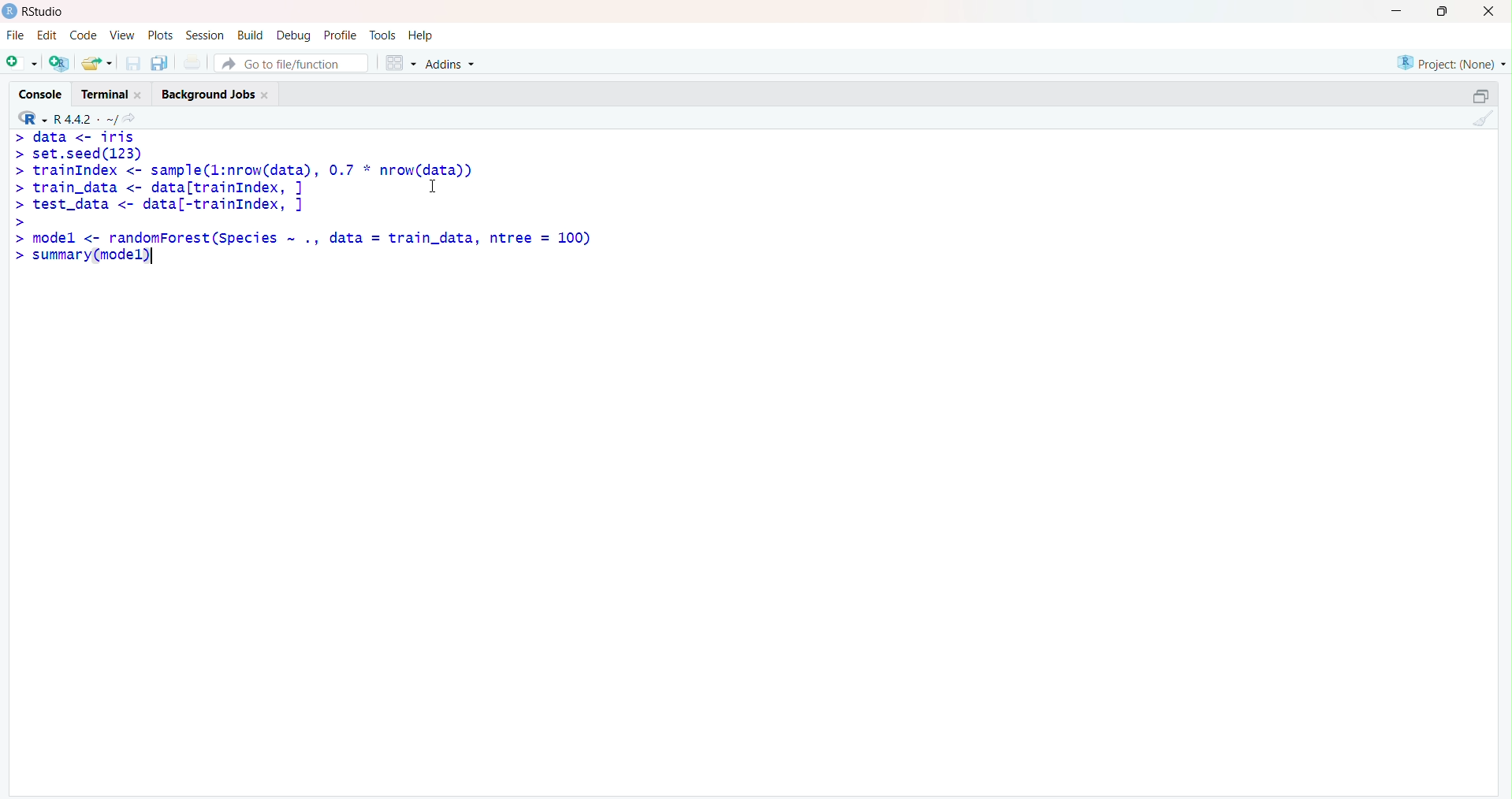  I want to click on Close, so click(1489, 13).